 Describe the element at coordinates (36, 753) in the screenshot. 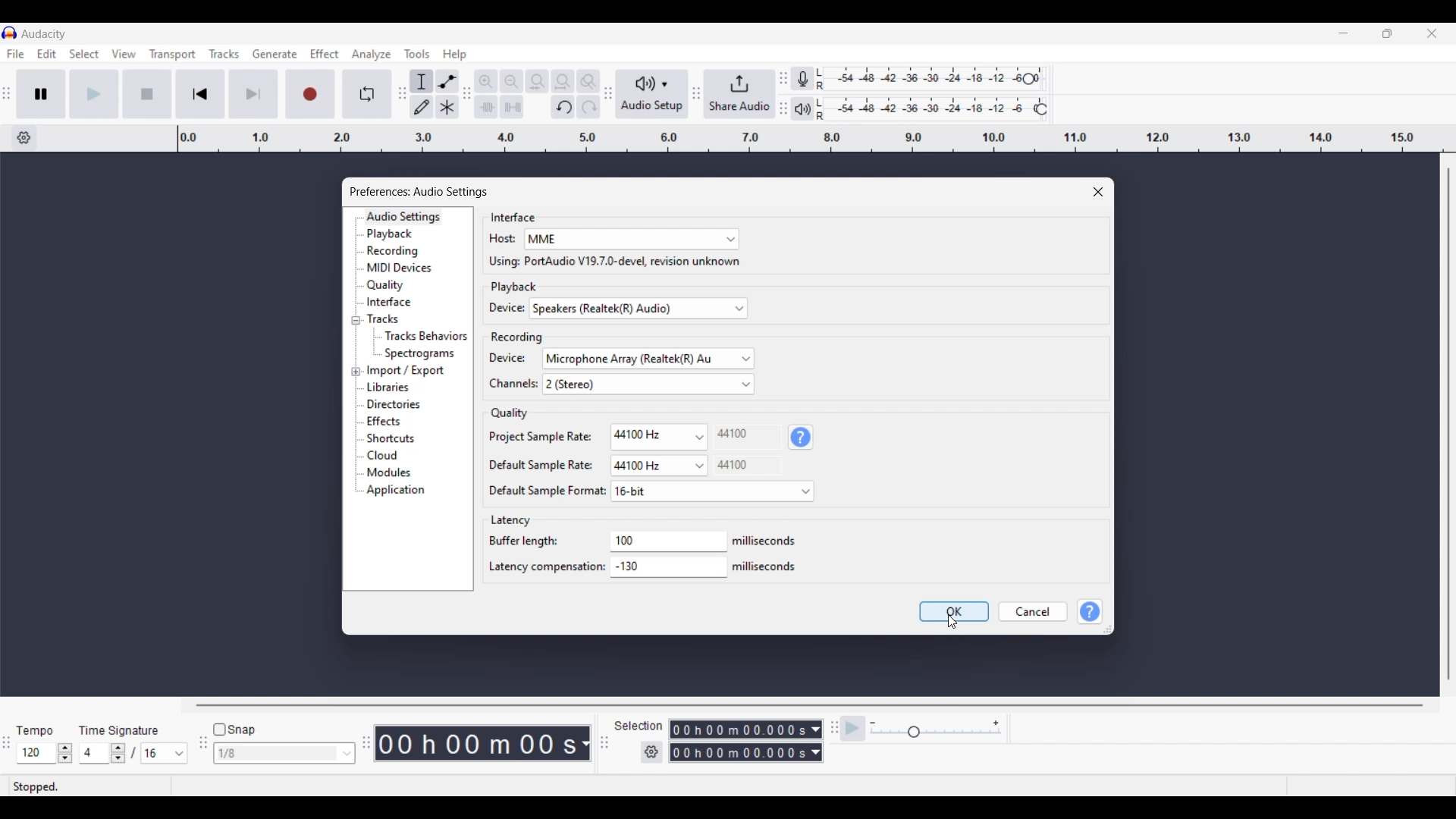

I see `Selected tempo` at that location.